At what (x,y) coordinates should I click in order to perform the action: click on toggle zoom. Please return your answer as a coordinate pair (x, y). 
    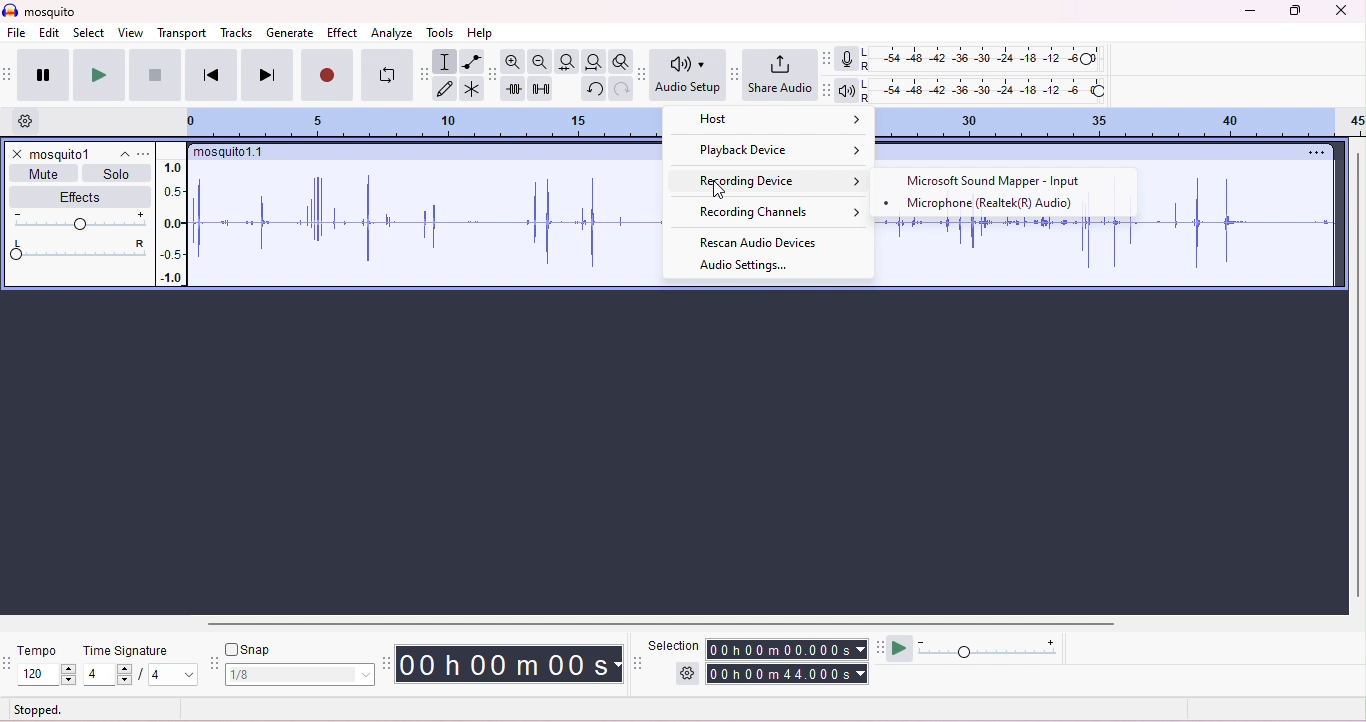
    Looking at the image, I should click on (621, 60).